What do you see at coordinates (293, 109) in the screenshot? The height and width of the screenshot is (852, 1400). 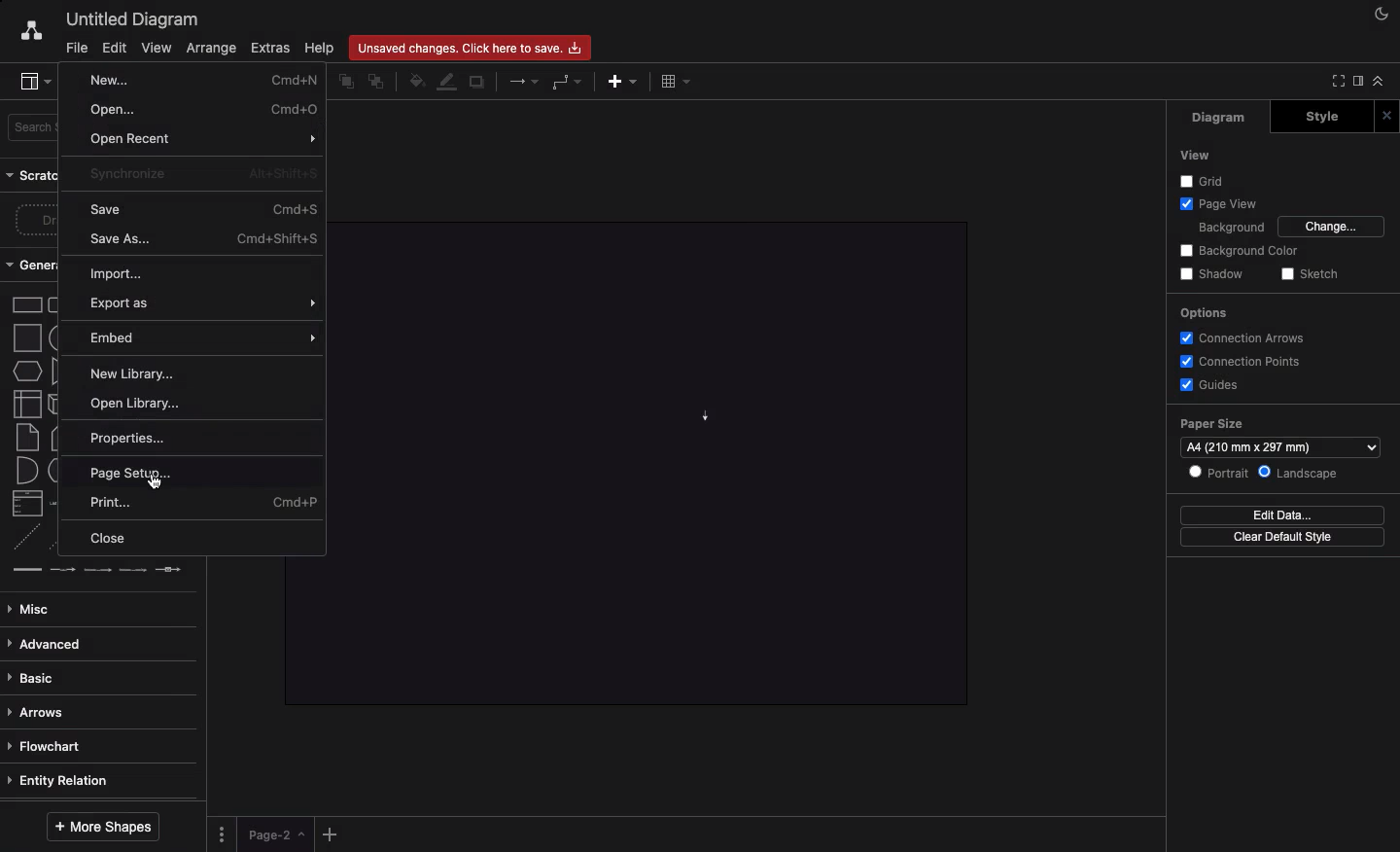 I see `Cmd+O` at bounding box center [293, 109].